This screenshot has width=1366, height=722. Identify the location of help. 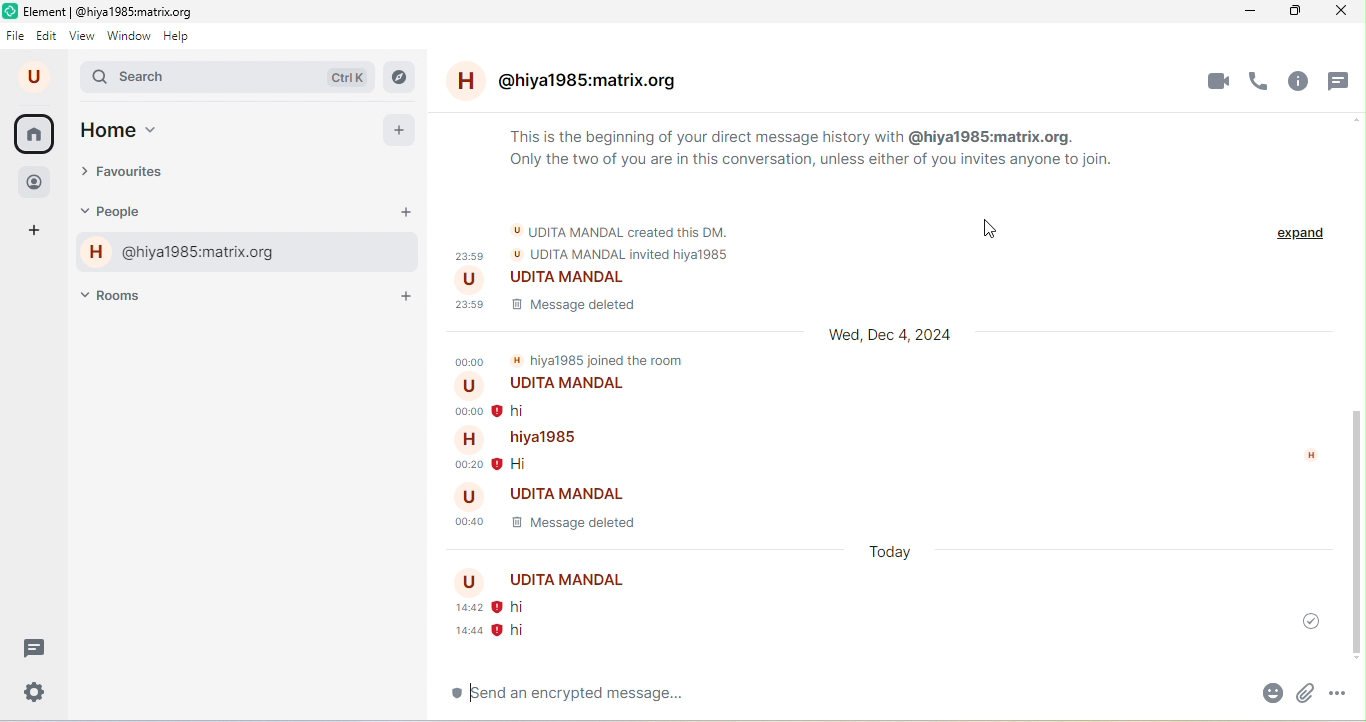
(182, 36).